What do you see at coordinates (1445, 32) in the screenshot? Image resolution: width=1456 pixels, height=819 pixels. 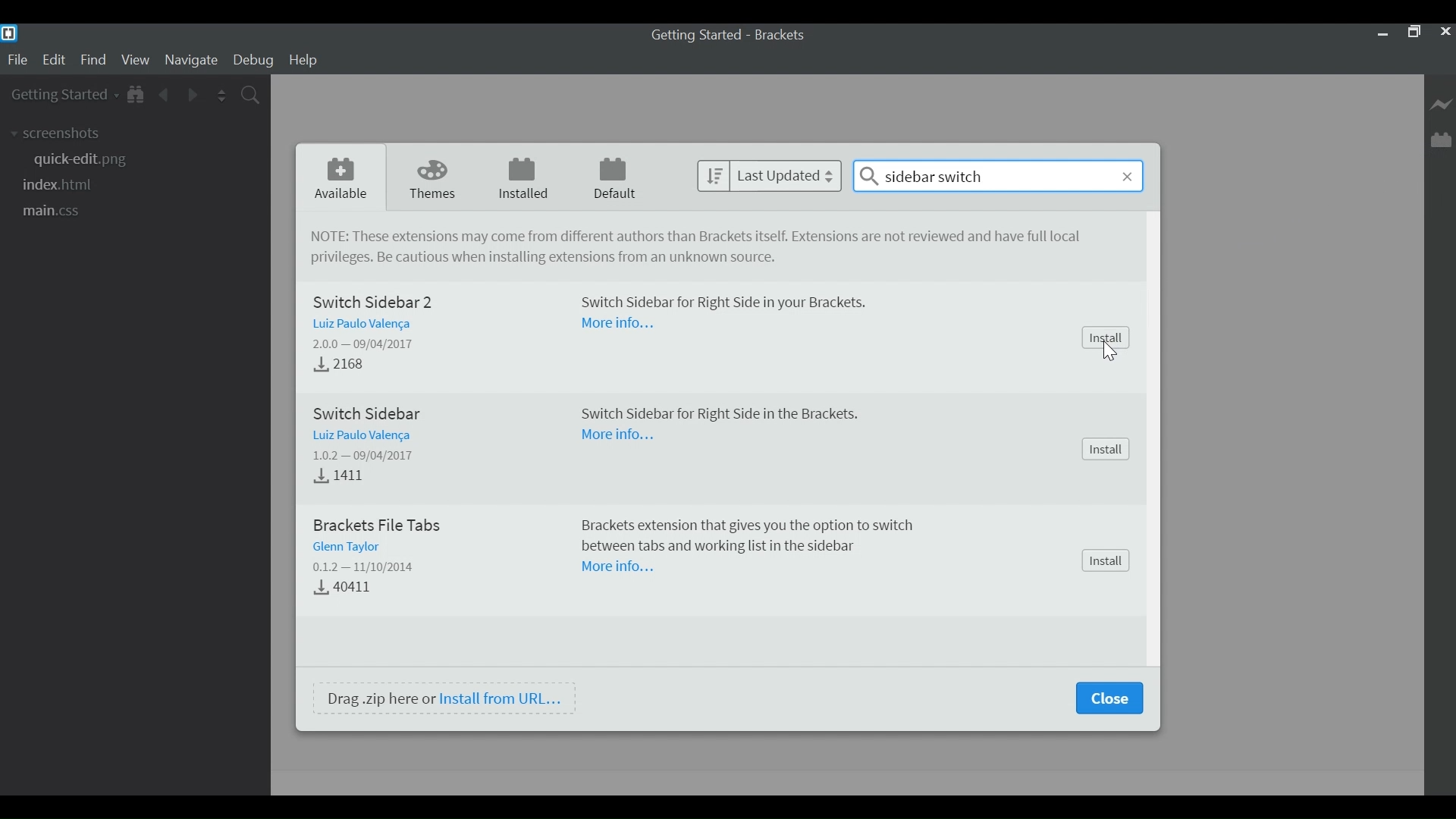 I see `Close` at bounding box center [1445, 32].